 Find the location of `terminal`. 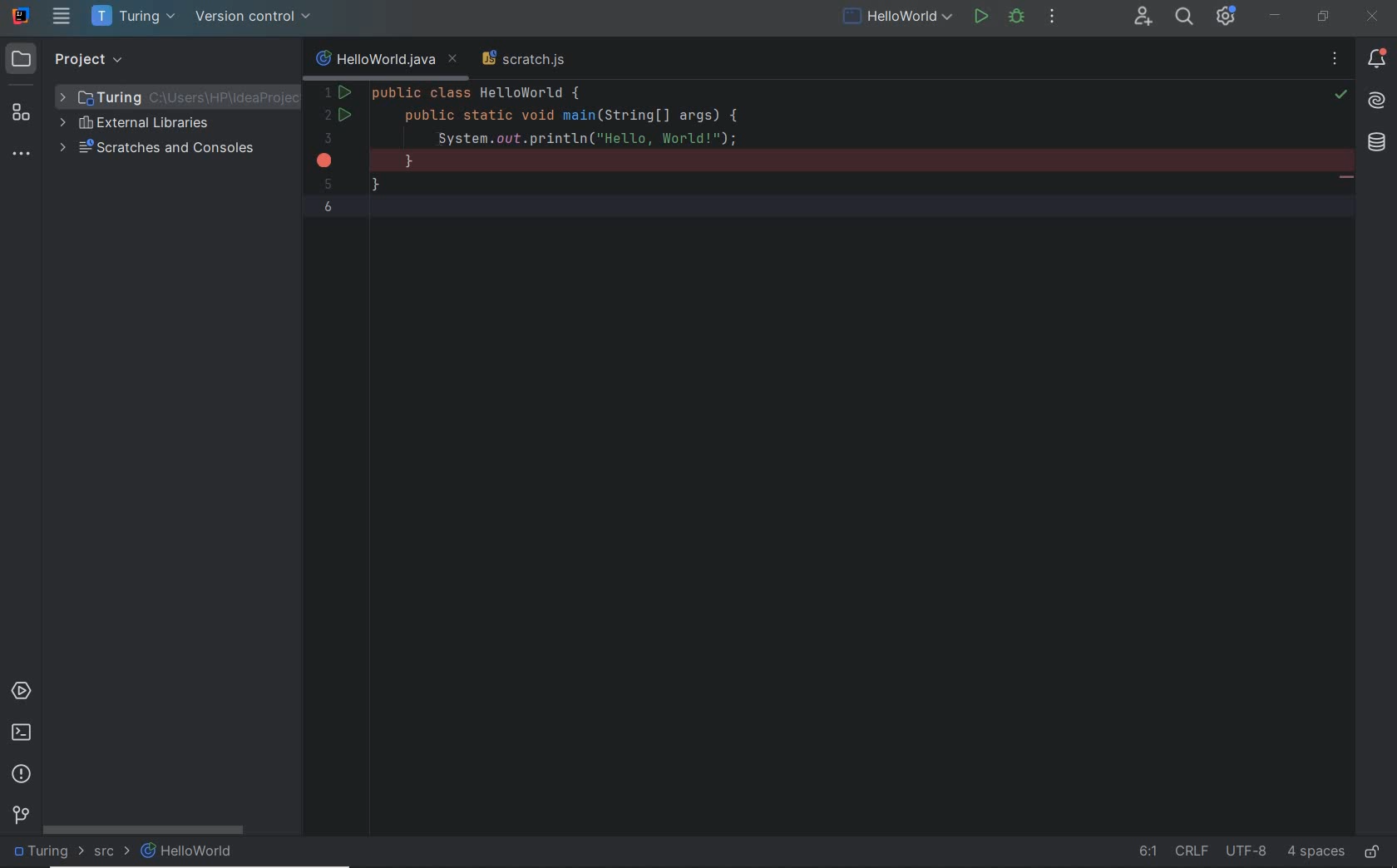

terminal is located at coordinates (23, 734).